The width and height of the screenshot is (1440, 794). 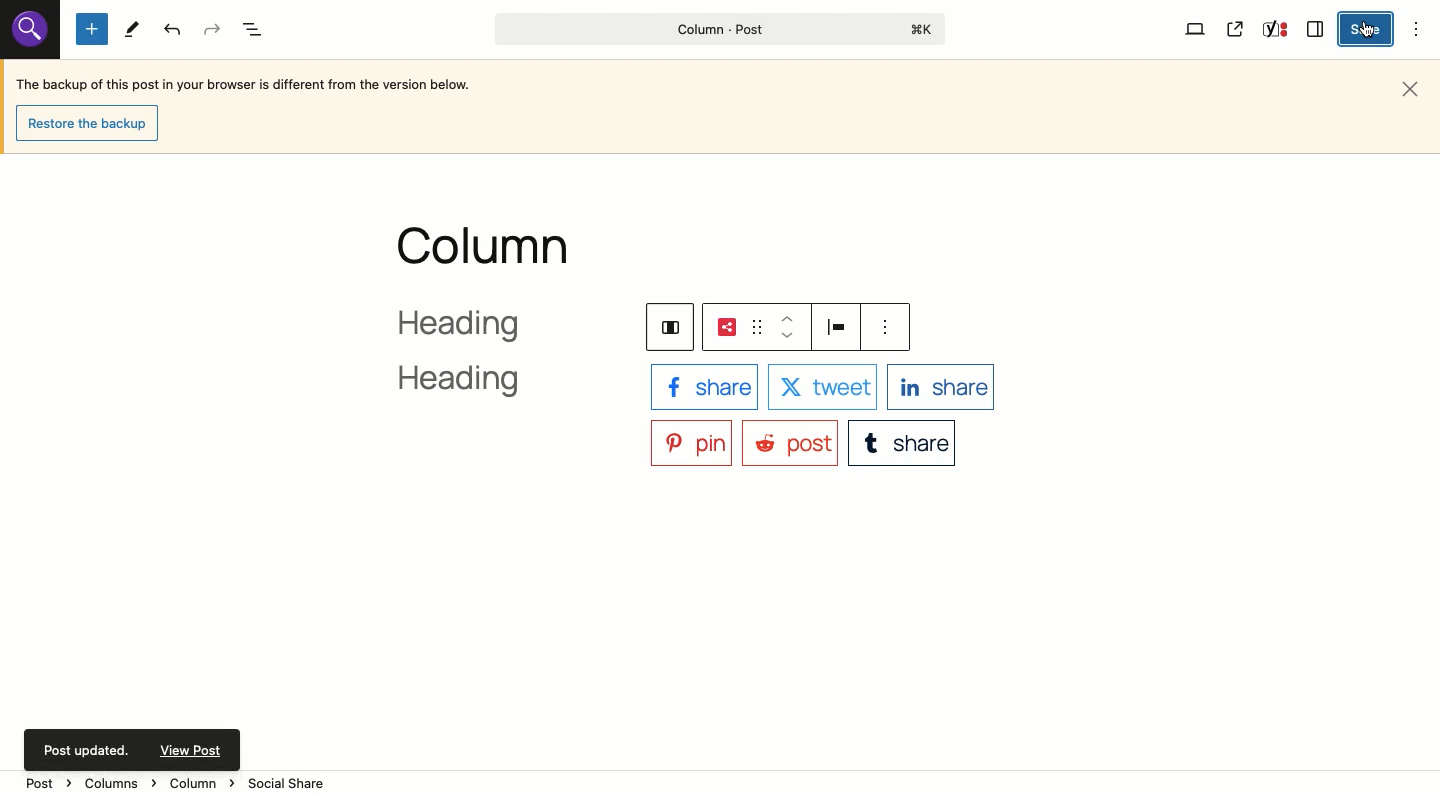 What do you see at coordinates (703, 386) in the screenshot?
I see `Facebook` at bounding box center [703, 386].